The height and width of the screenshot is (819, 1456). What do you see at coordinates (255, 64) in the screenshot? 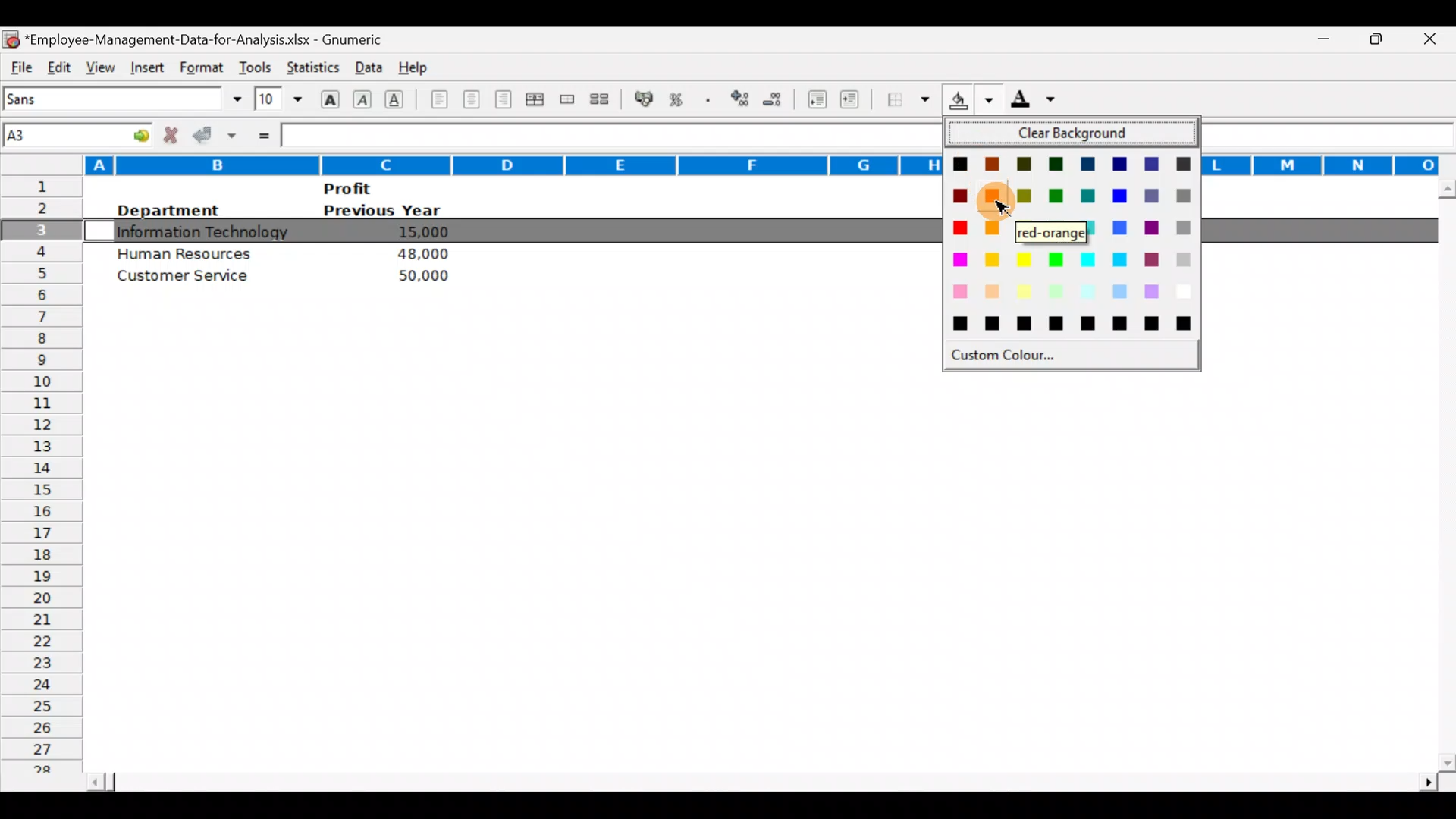
I see `Tools` at bounding box center [255, 64].